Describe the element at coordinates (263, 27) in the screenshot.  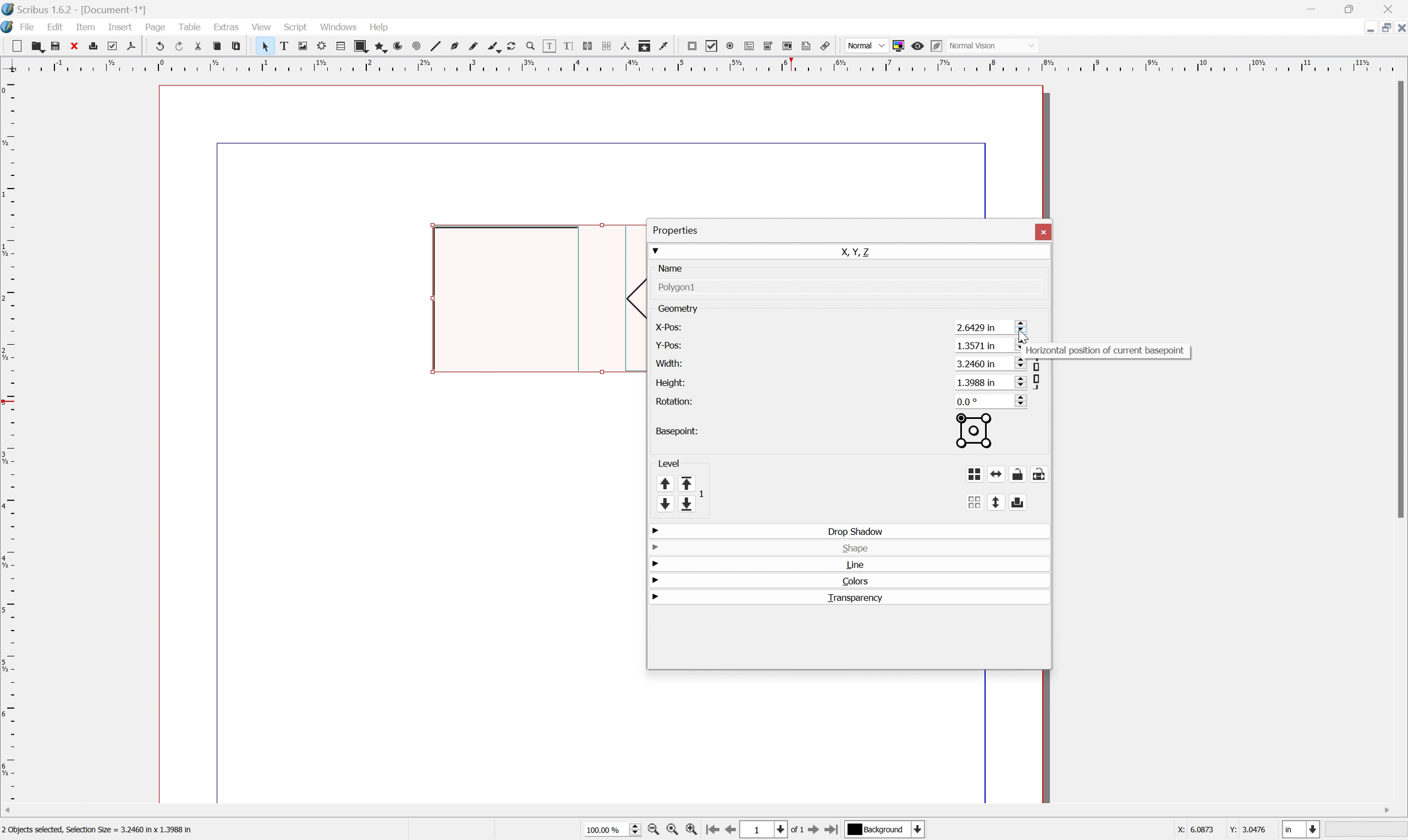
I see `view` at that location.